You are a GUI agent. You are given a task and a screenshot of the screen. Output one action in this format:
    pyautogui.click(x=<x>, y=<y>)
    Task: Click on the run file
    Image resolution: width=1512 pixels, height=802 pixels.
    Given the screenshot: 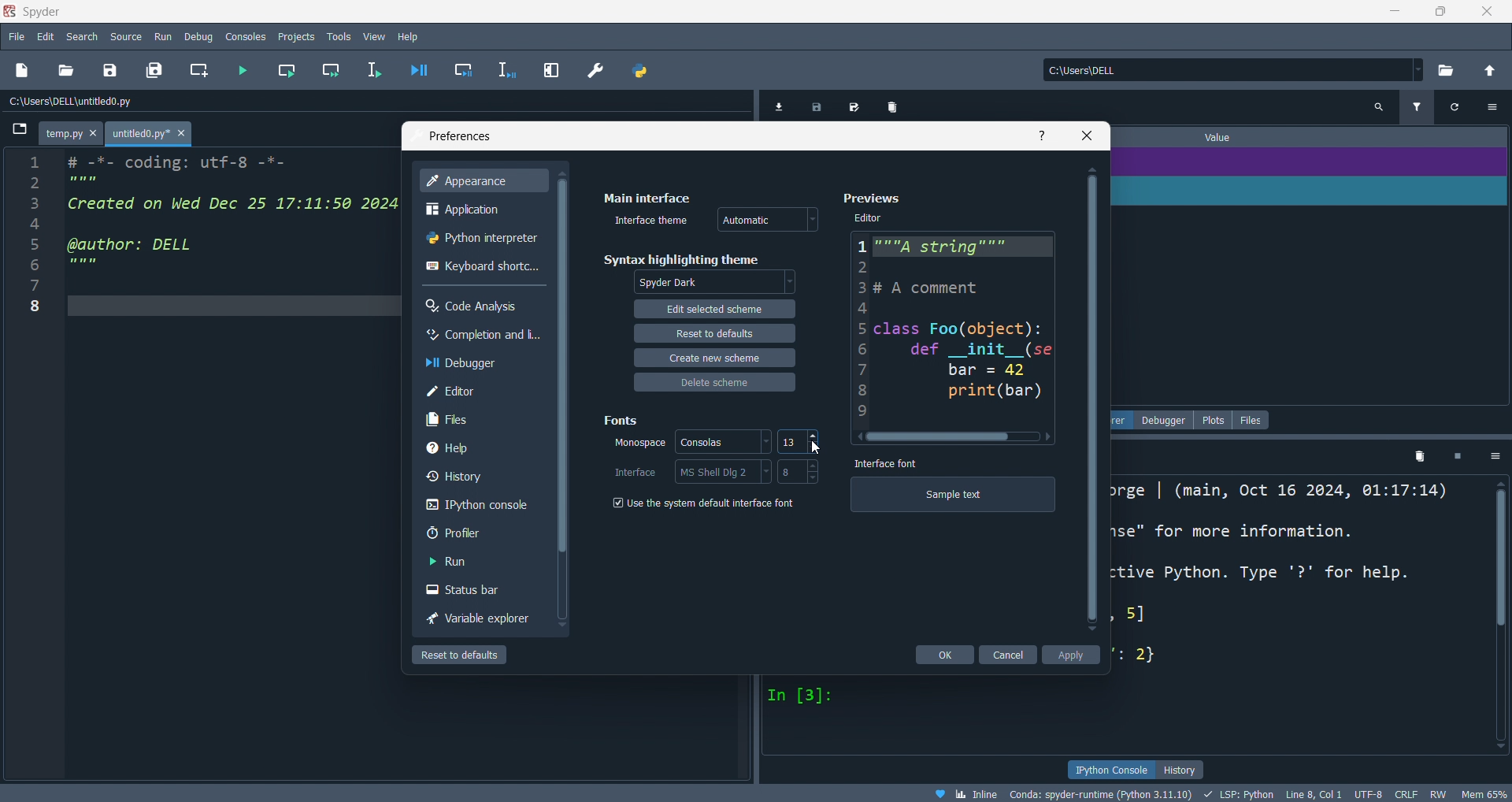 What is the action you would take?
    pyautogui.click(x=248, y=70)
    